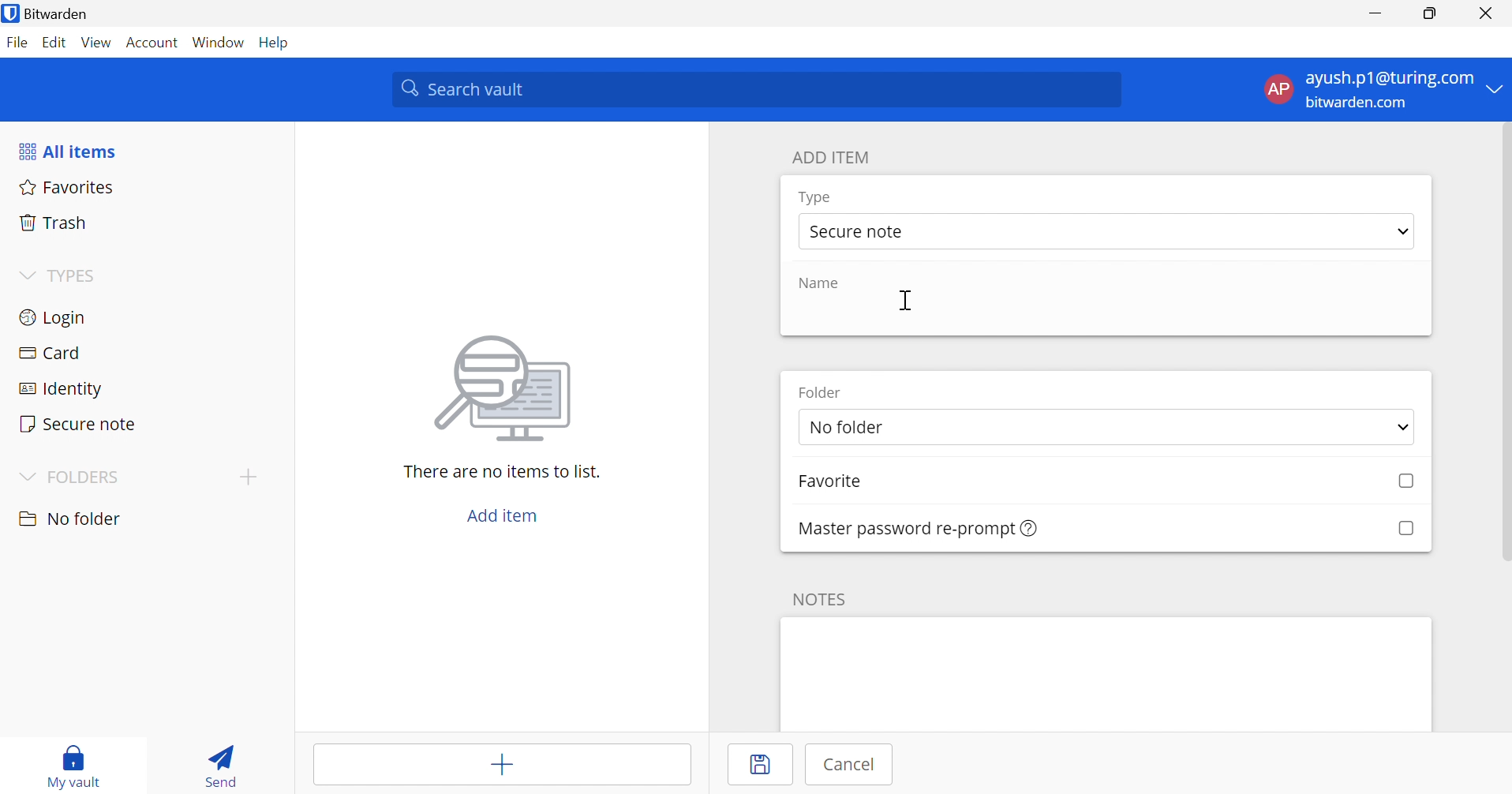 This screenshot has width=1512, height=794. What do you see at coordinates (71, 153) in the screenshot?
I see `All items` at bounding box center [71, 153].